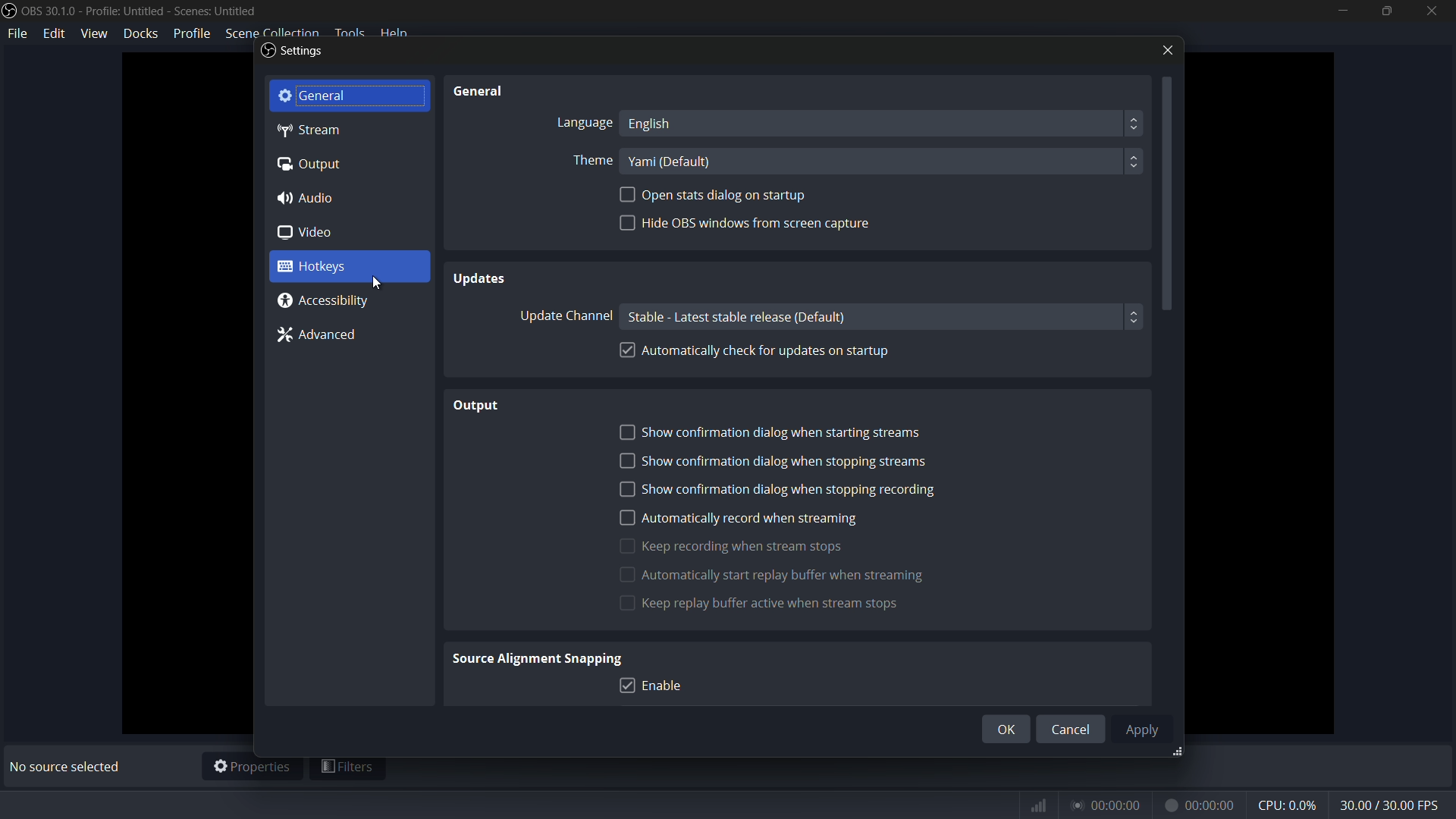 Image resolution: width=1456 pixels, height=819 pixels. Describe the element at coordinates (310, 130) in the screenshot. I see `stream` at that location.